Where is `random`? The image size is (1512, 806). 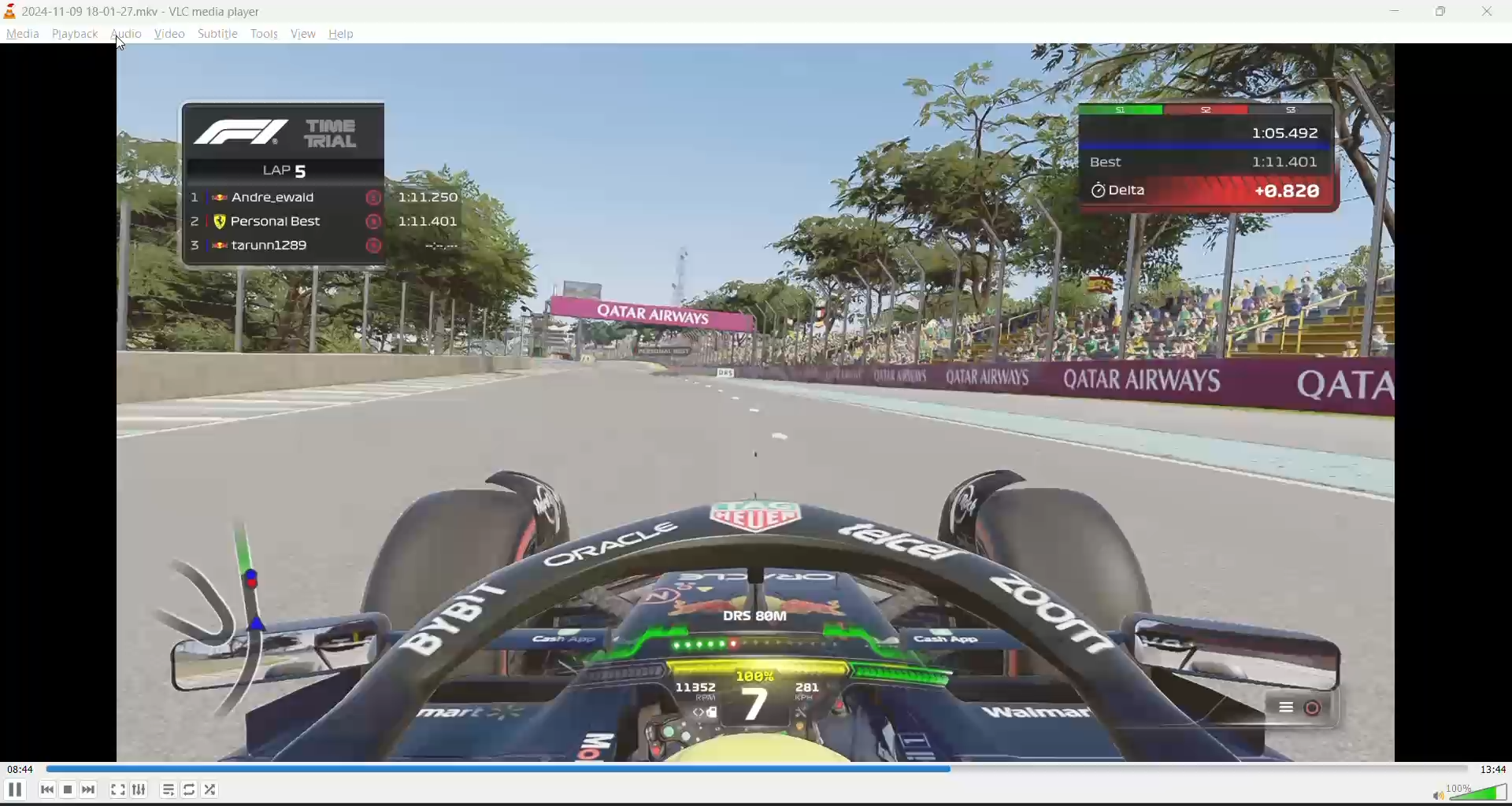 random is located at coordinates (212, 791).